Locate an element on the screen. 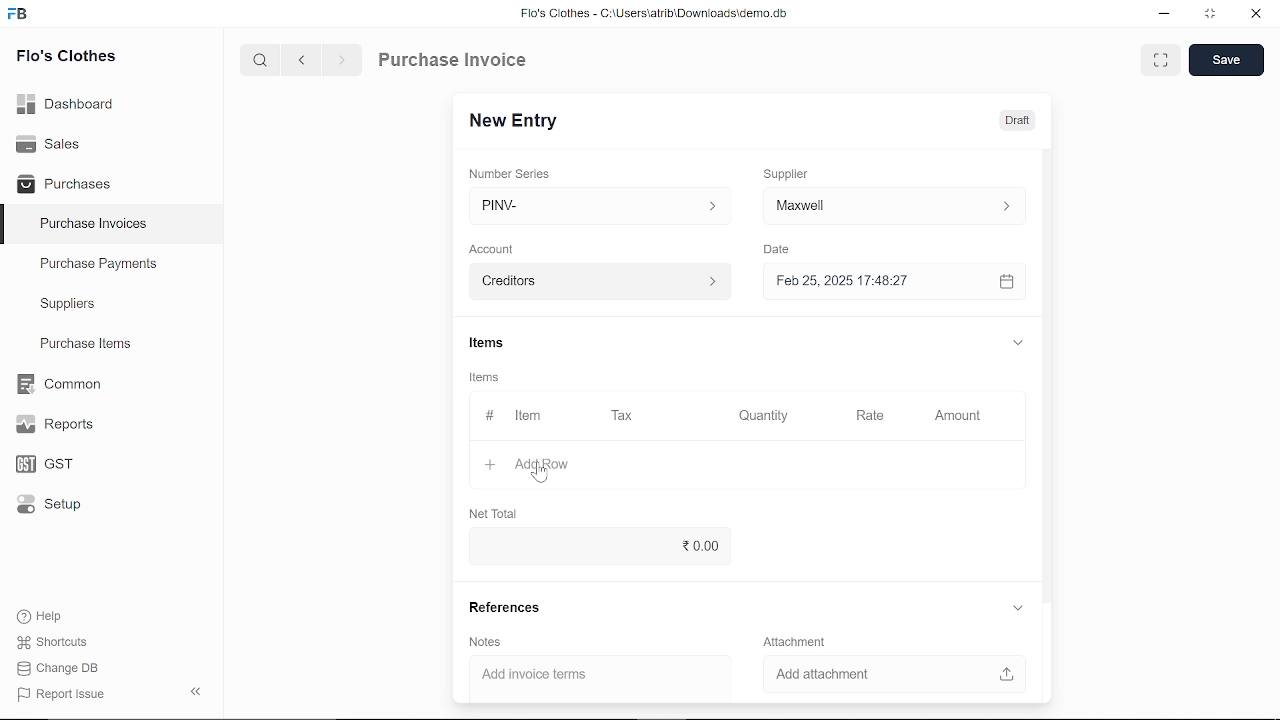  Suppliers is located at coordinates (68, 304).